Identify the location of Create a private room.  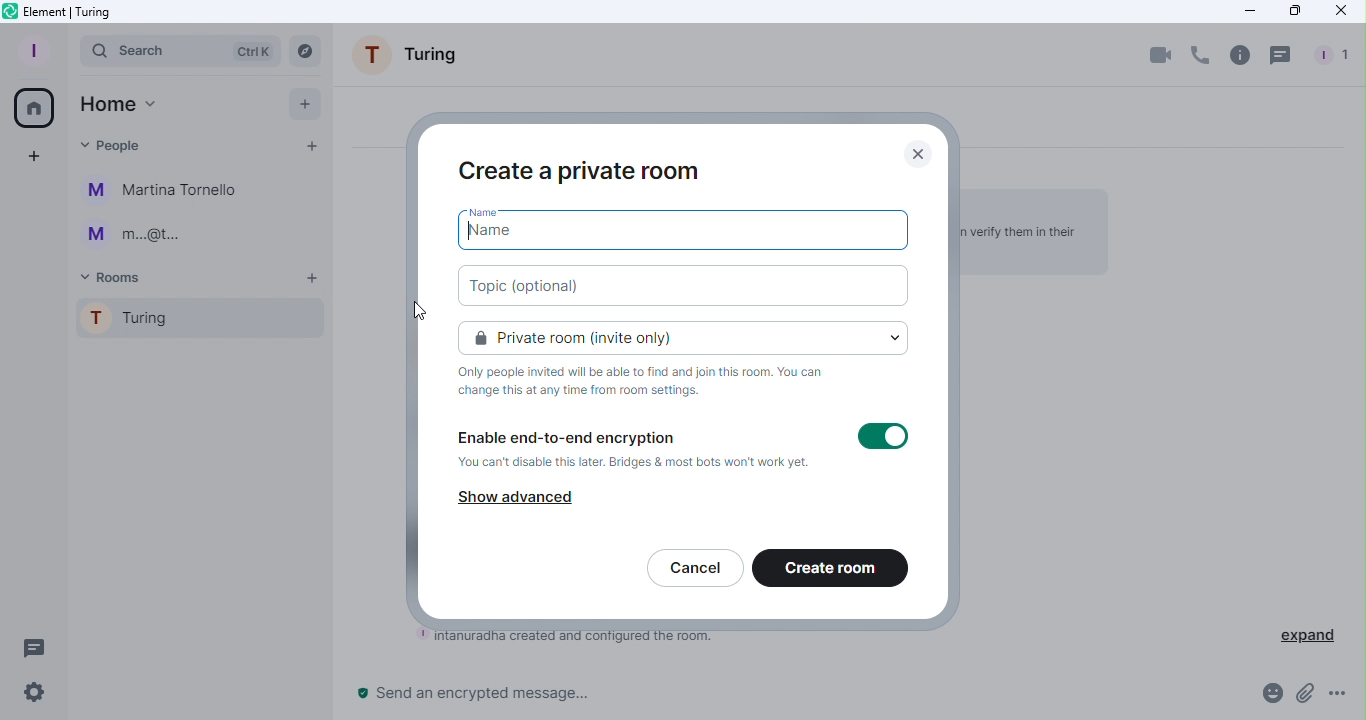
(582, 169).